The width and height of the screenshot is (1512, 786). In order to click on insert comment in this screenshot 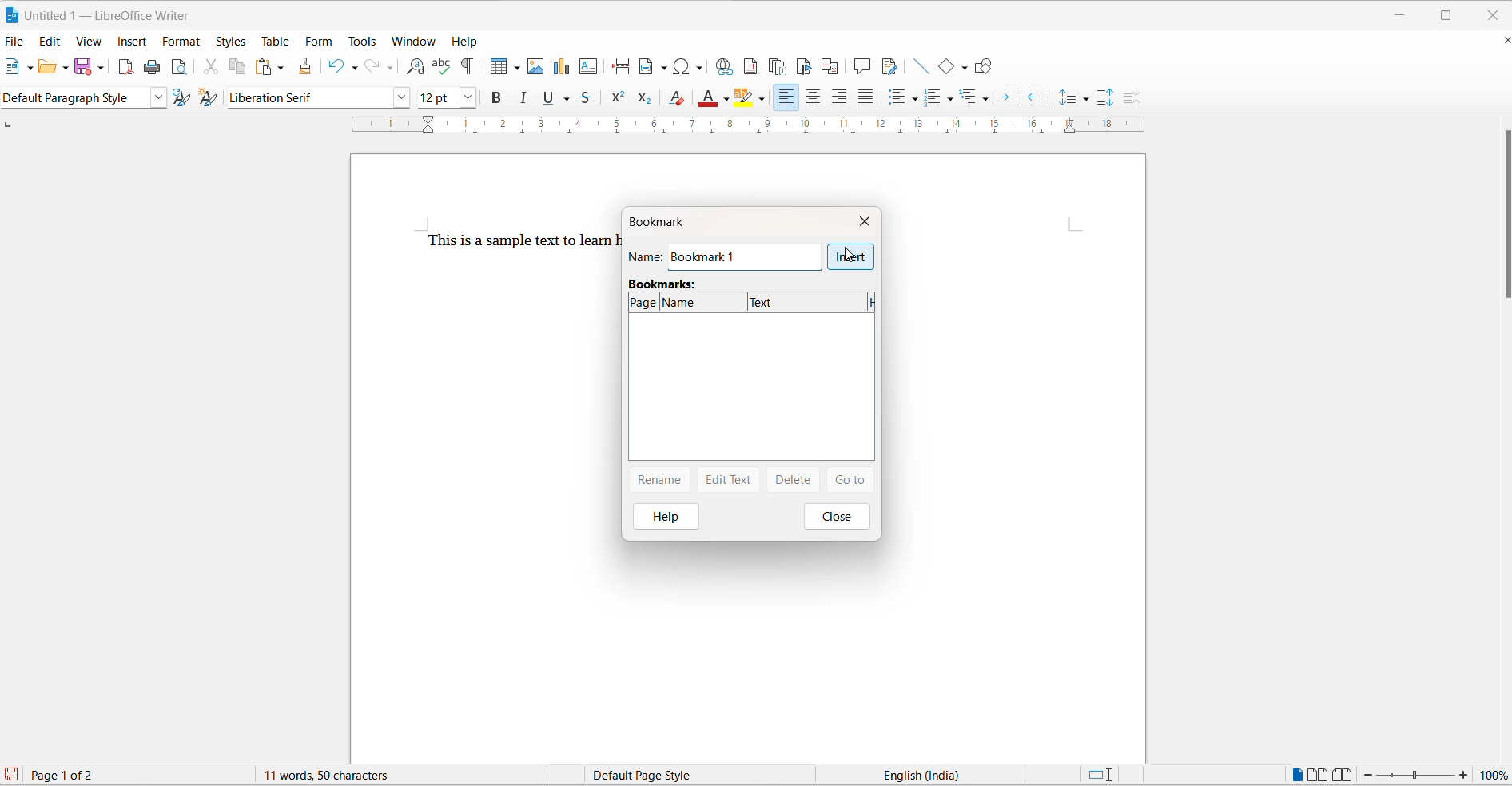, I will do `click(861, 66)`.